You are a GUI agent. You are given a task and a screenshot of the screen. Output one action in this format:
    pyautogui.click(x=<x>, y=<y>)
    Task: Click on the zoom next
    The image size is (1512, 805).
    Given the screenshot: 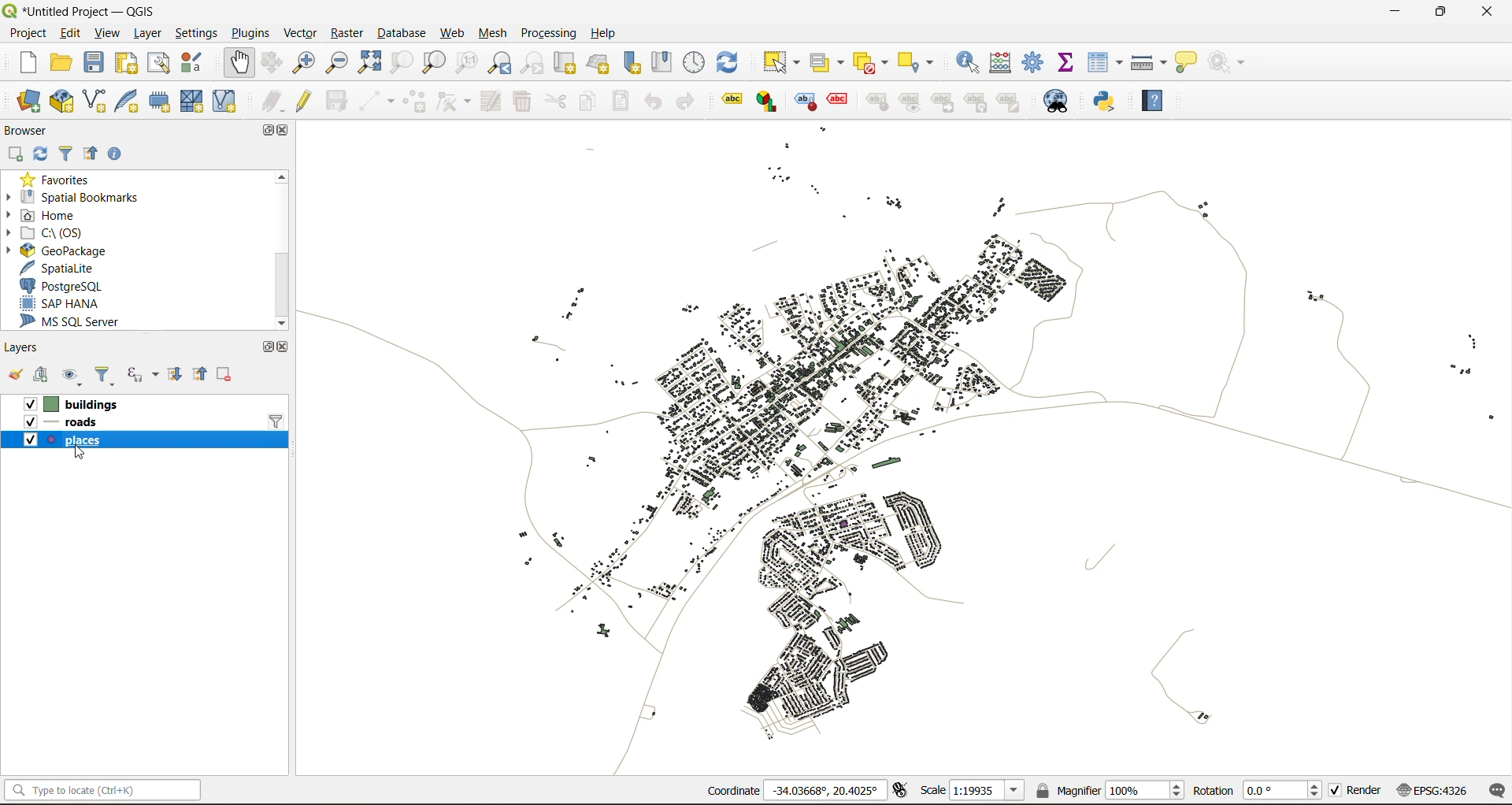 What is the action you would take?
    pyautogui.click(x=531, y=63)
    